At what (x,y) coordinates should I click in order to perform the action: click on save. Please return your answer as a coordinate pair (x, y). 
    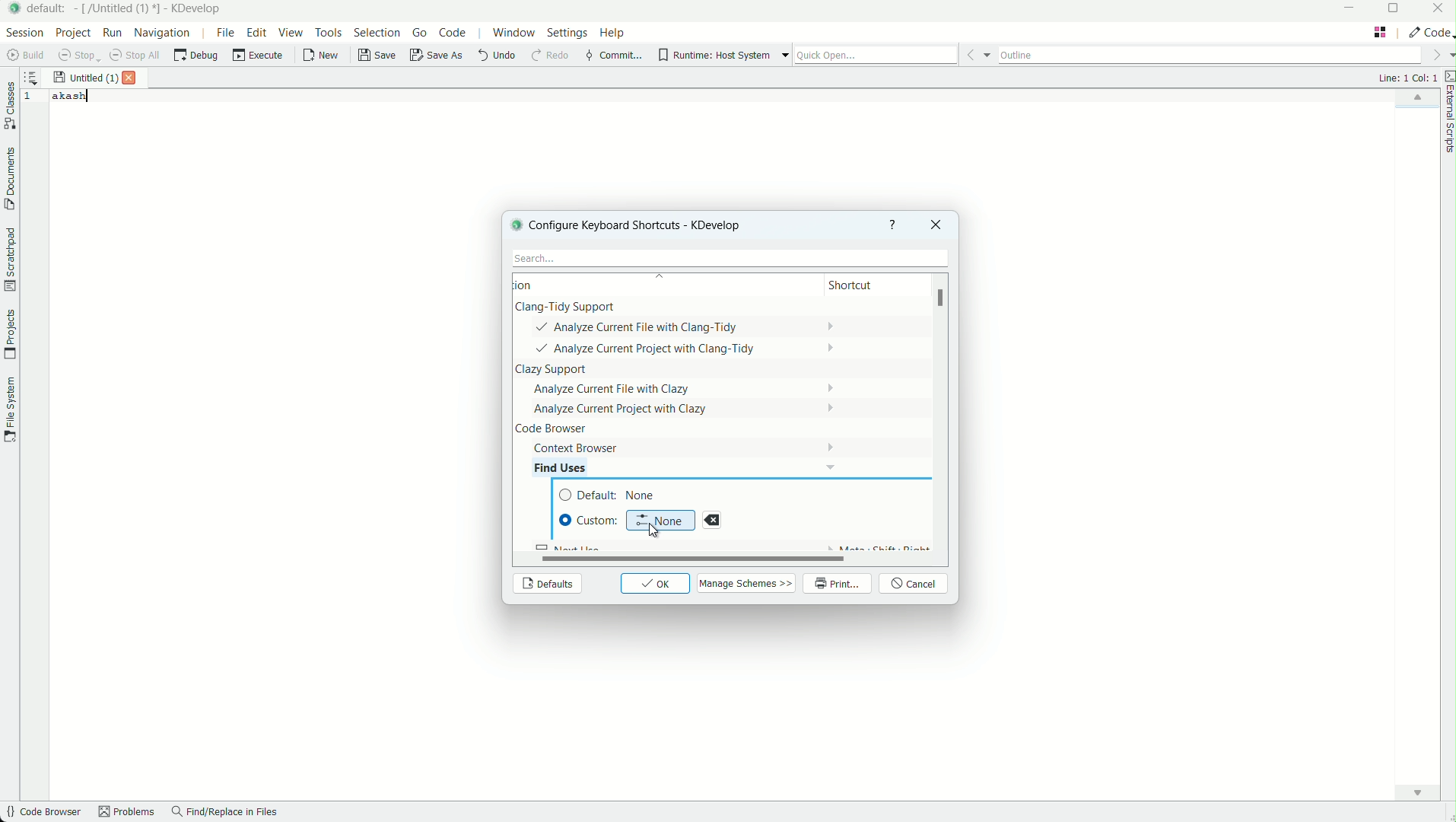
    Looking at the image, I should click on (378, 56).